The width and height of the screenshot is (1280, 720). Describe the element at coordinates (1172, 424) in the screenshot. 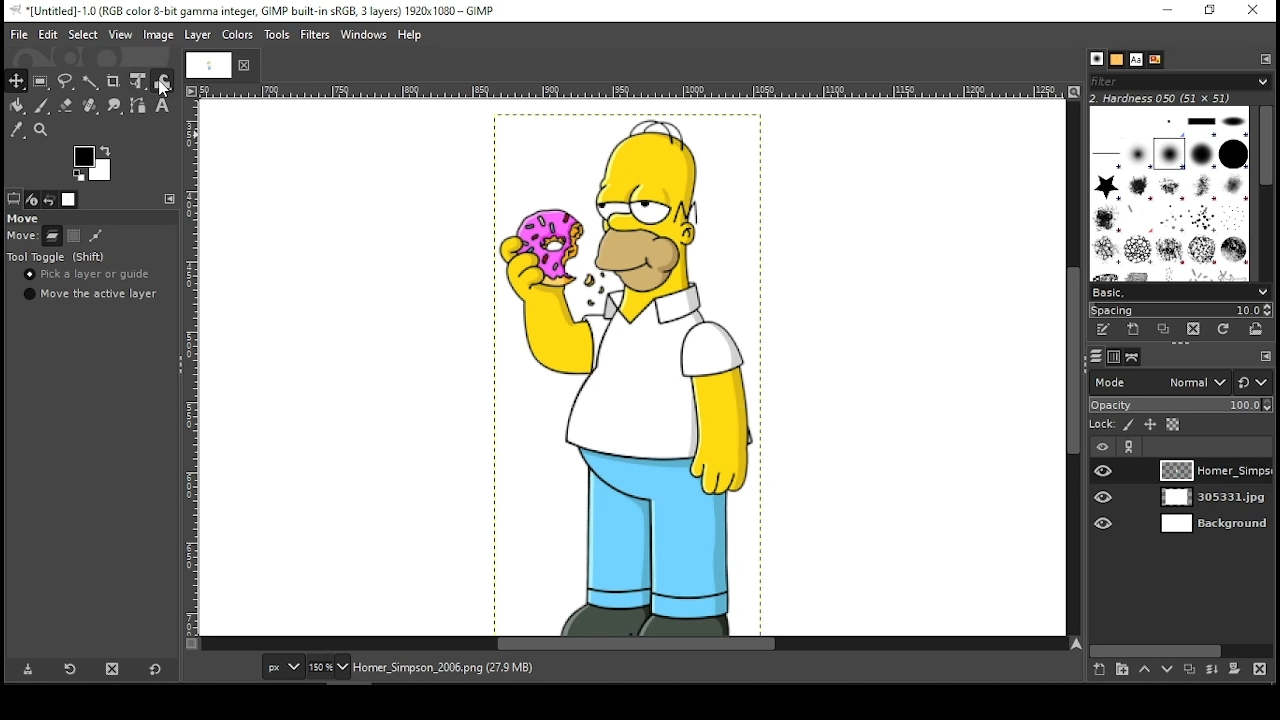

I see `lock alpha channel` at that location.